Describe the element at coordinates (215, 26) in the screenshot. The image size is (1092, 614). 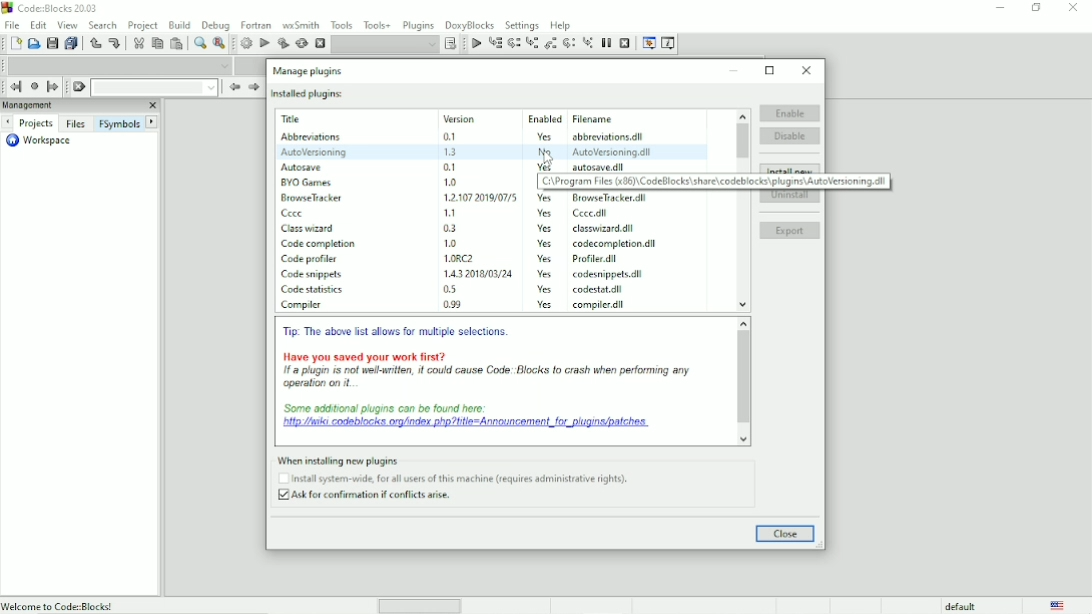
I see `Debug` at that location.